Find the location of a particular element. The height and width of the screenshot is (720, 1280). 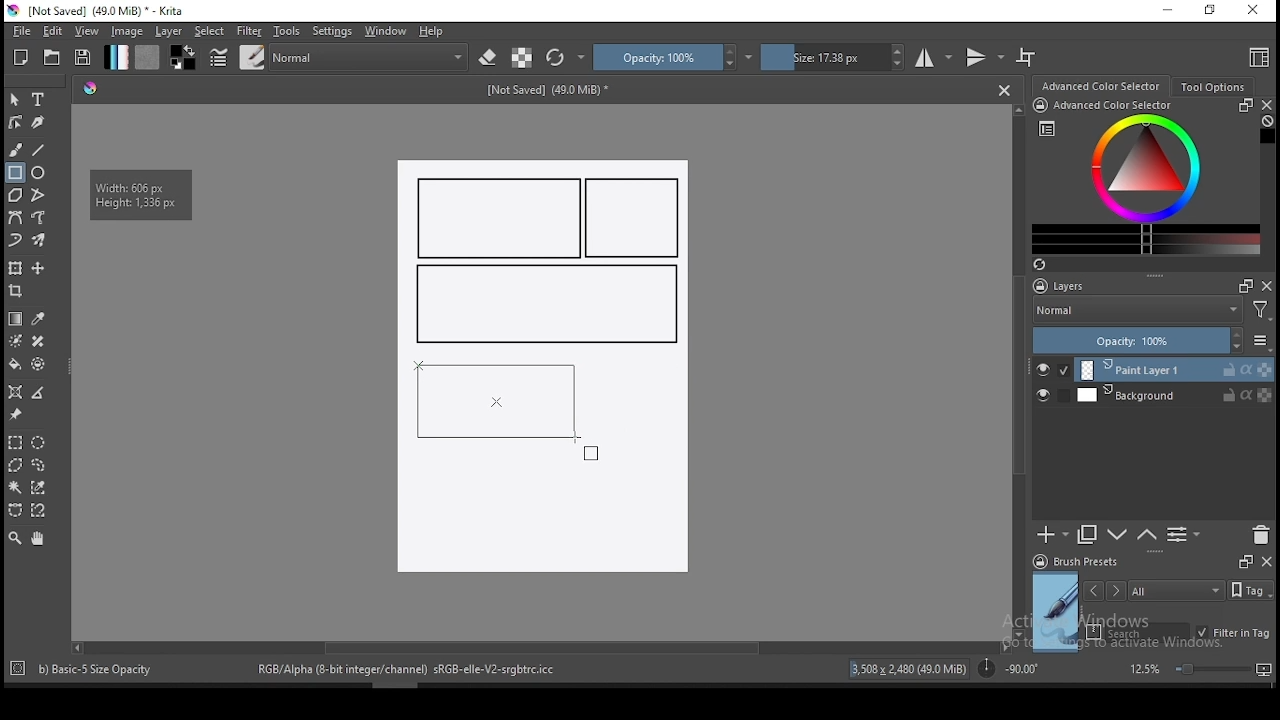

brush tool is located at coordinates (17, 149).